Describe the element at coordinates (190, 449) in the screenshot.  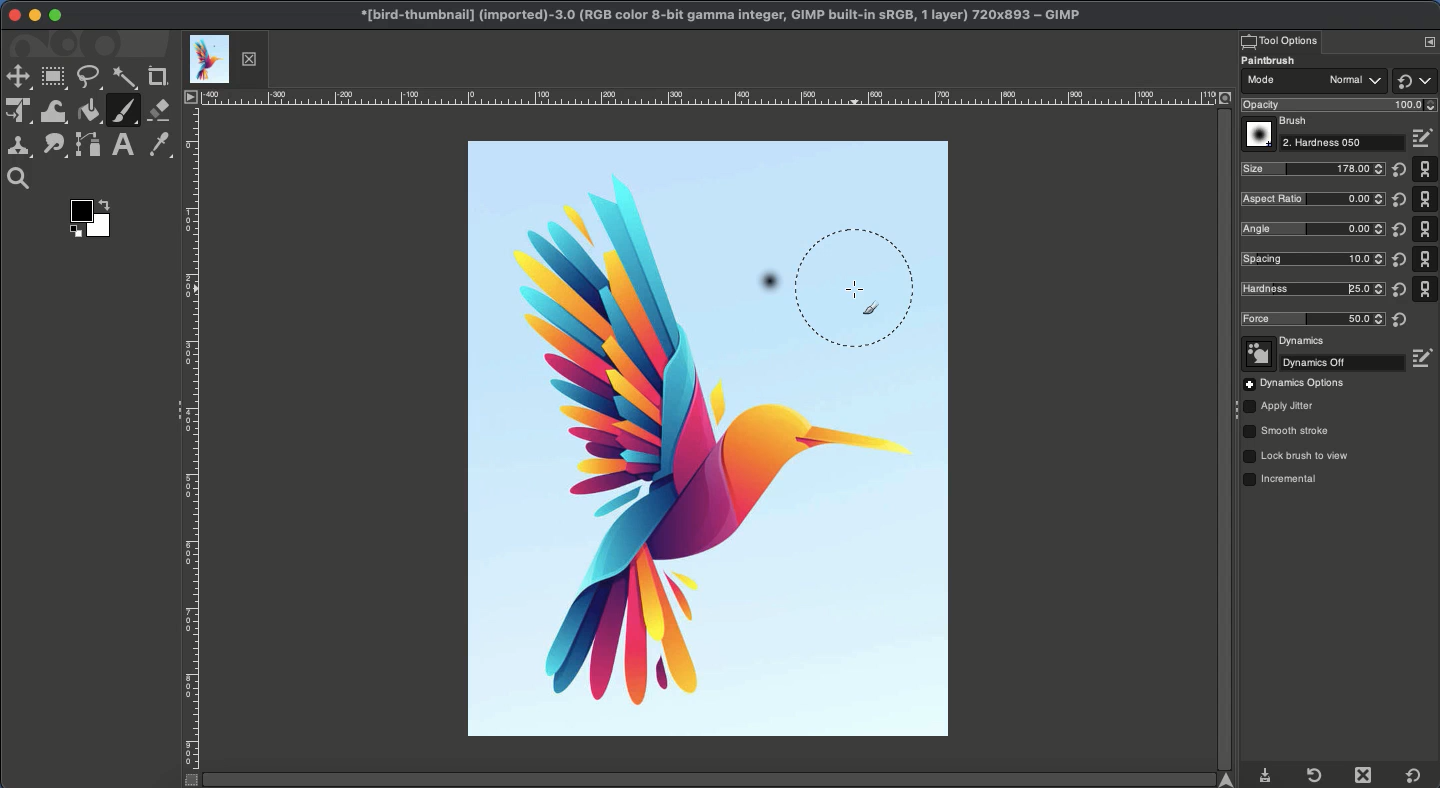
I see `Ruler` at that location.